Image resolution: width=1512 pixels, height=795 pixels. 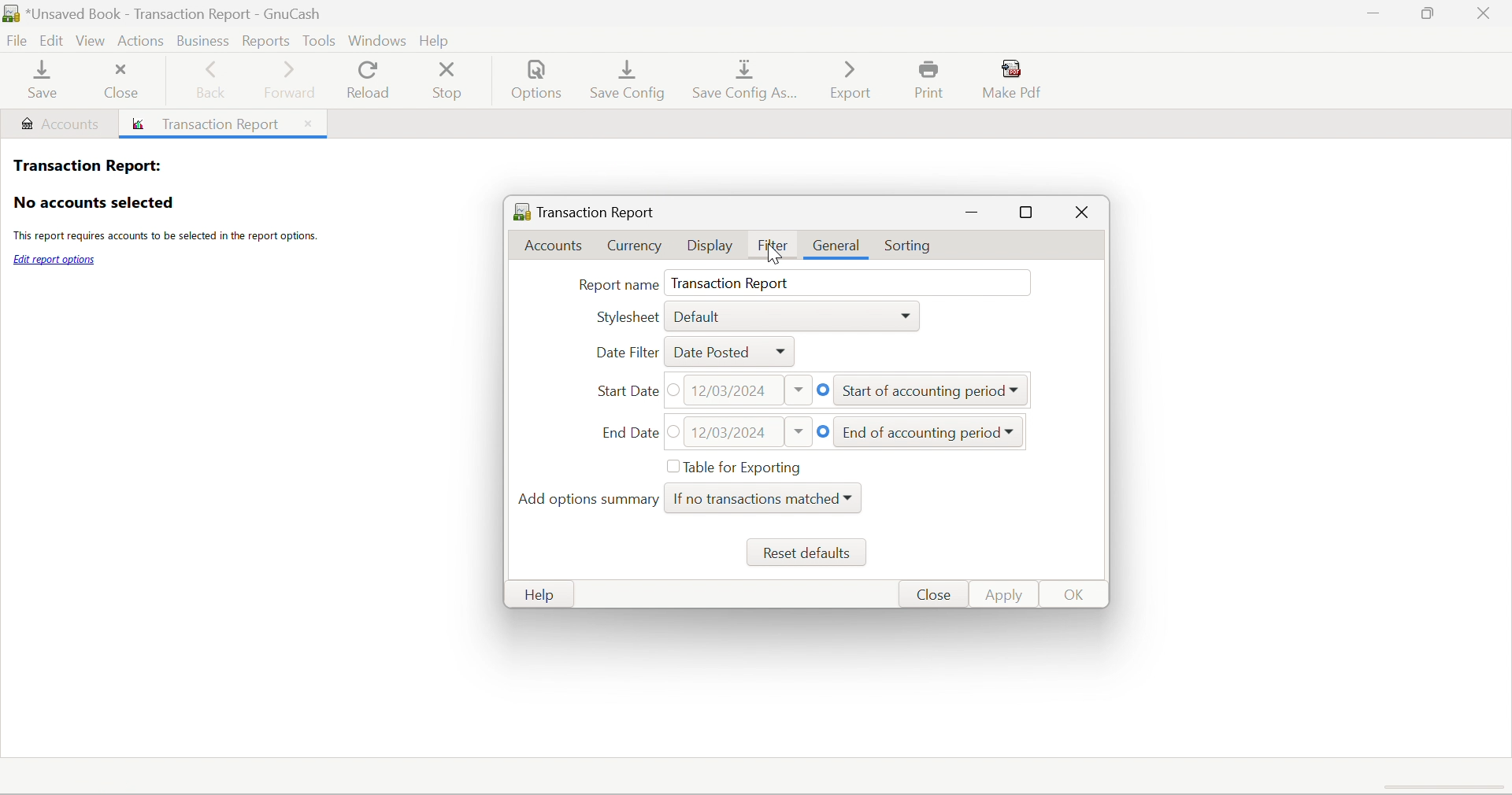 What do you see at coordinates (538, 597) in the screenshot?
I see `Help` at bounding box center [538, 597].